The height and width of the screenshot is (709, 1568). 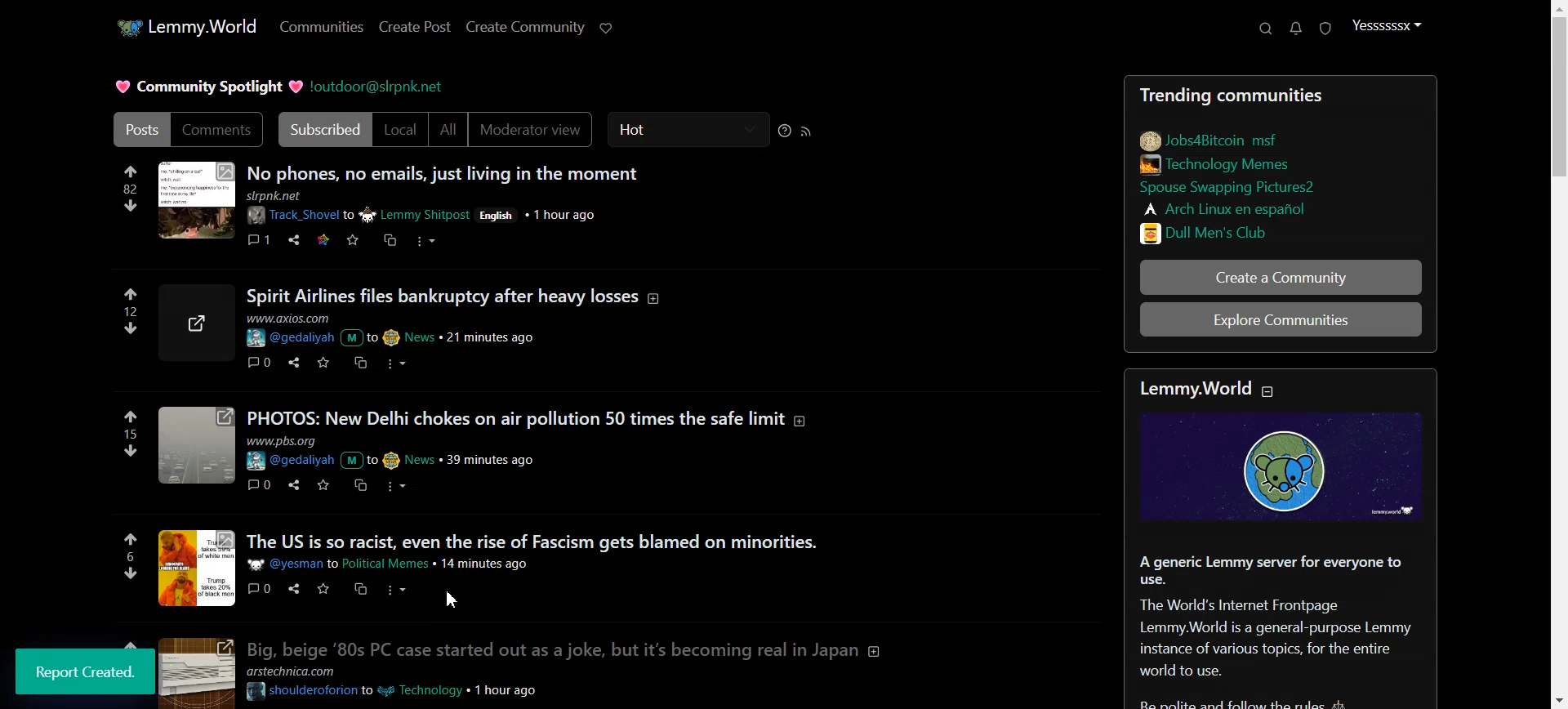 What do you see at coordinates (362, 588) in the screenshot?
I see `cross post` at bounding box center [362, 588].